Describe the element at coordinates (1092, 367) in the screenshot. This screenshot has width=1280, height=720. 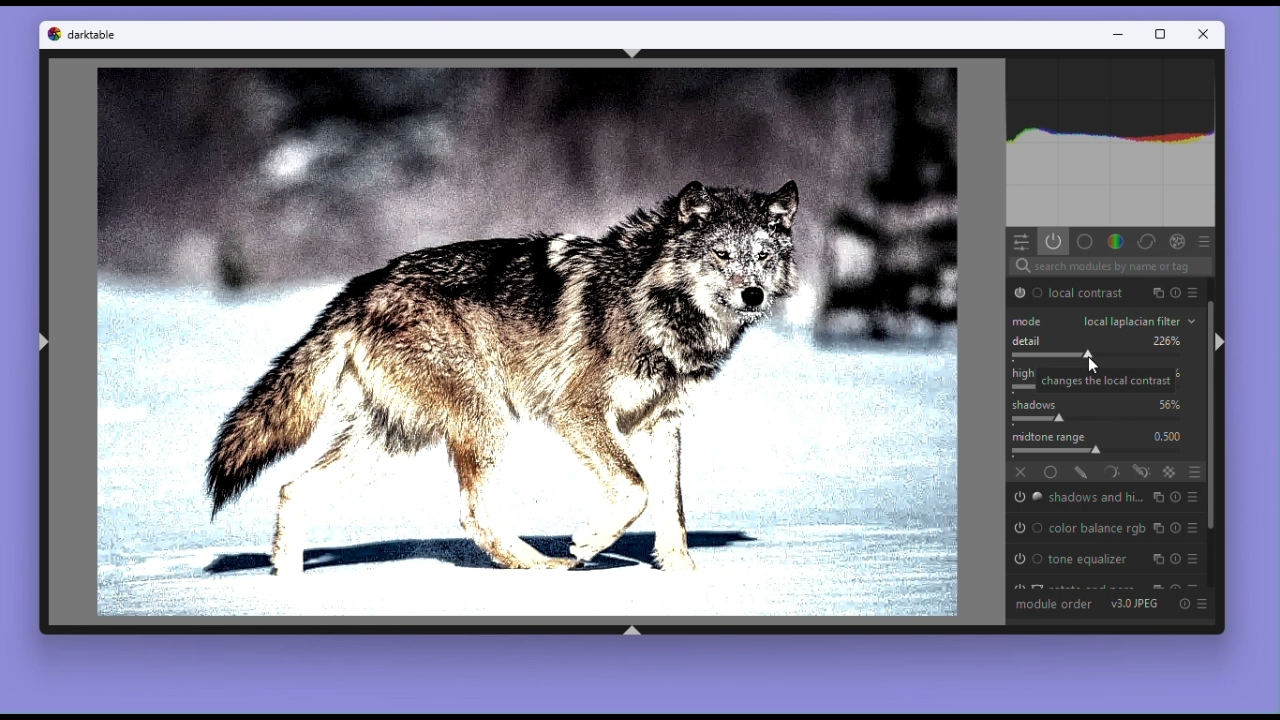
I see `cursor` at that location.